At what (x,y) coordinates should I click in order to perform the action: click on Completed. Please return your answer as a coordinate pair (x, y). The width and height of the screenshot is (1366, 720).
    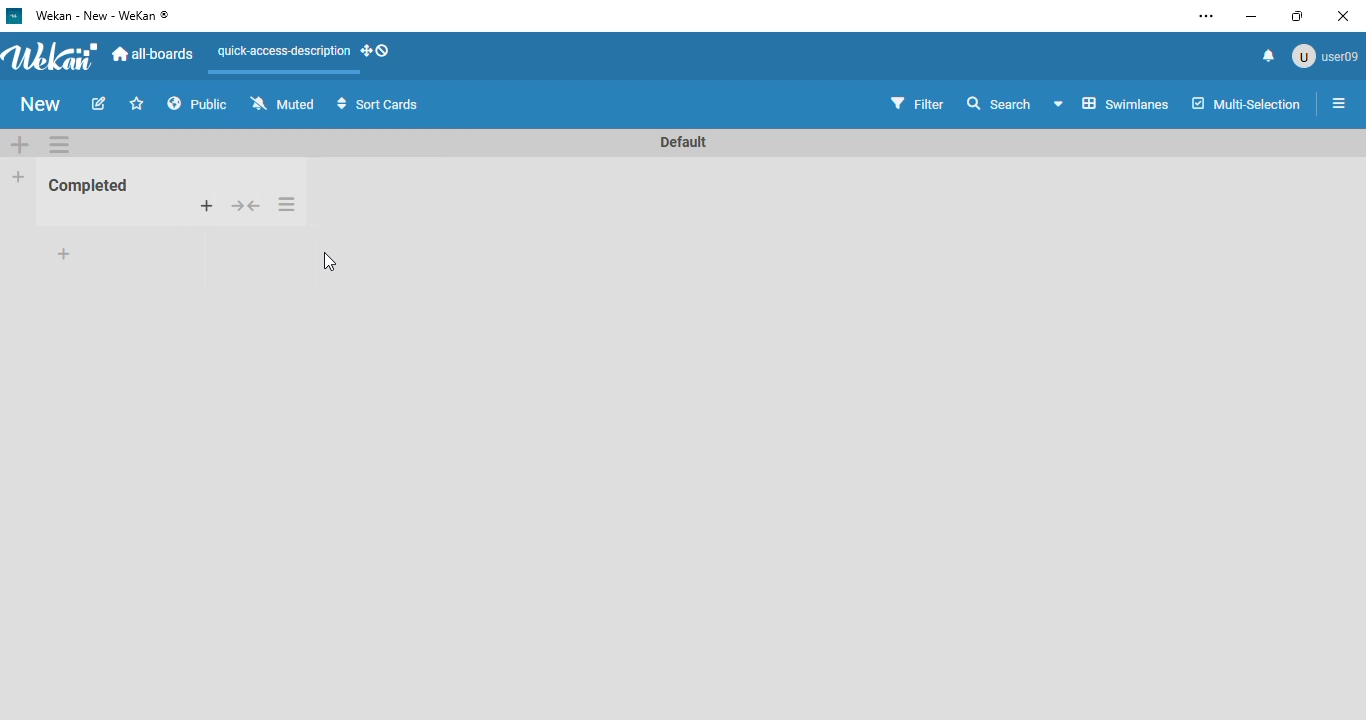
    Looking at the image, I should click on (92, 184).